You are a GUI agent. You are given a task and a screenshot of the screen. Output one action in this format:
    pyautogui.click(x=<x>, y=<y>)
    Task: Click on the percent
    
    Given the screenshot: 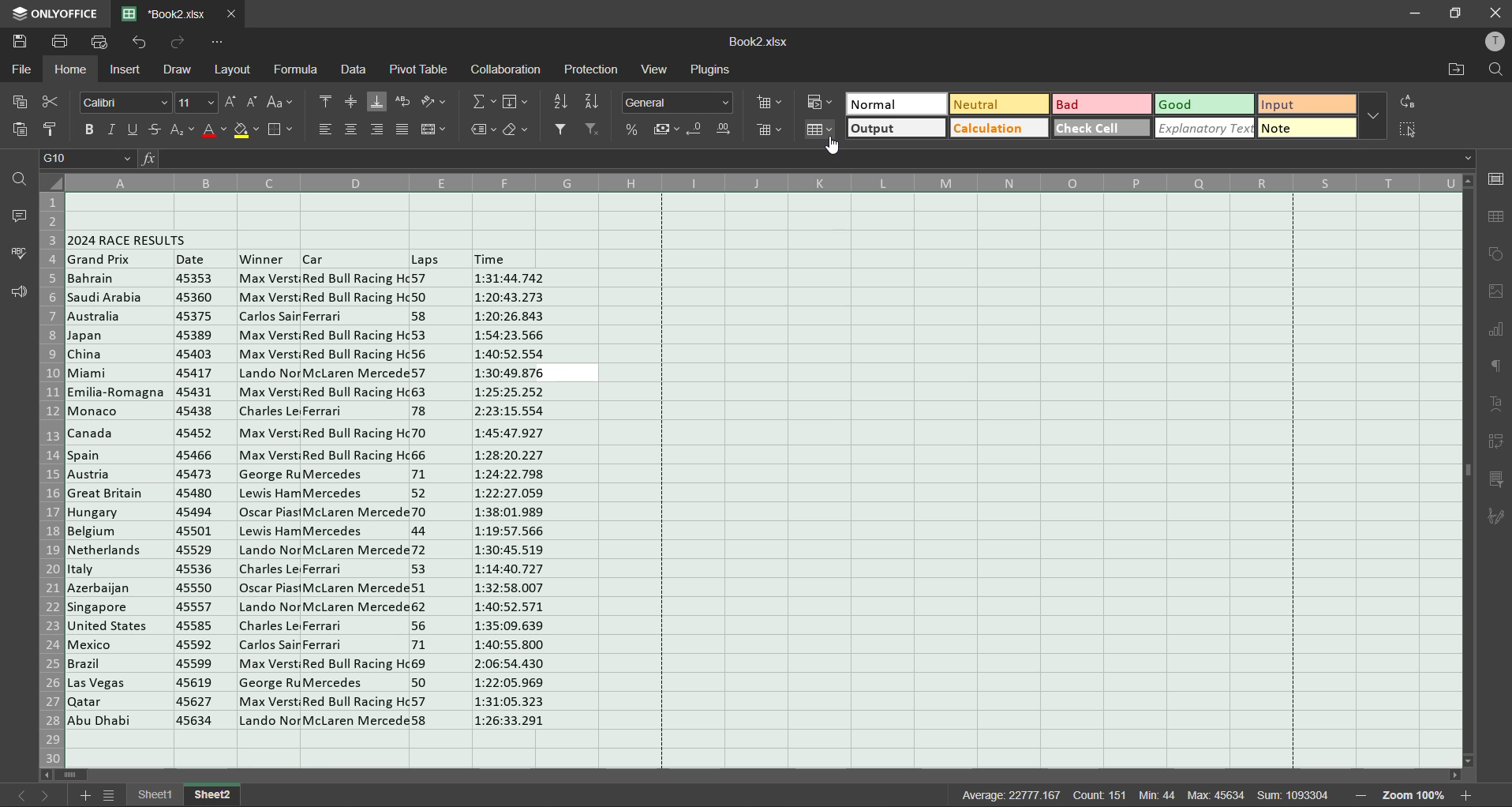 What is the action you would take?
    pyautogui.click(x=634, y=129)
    